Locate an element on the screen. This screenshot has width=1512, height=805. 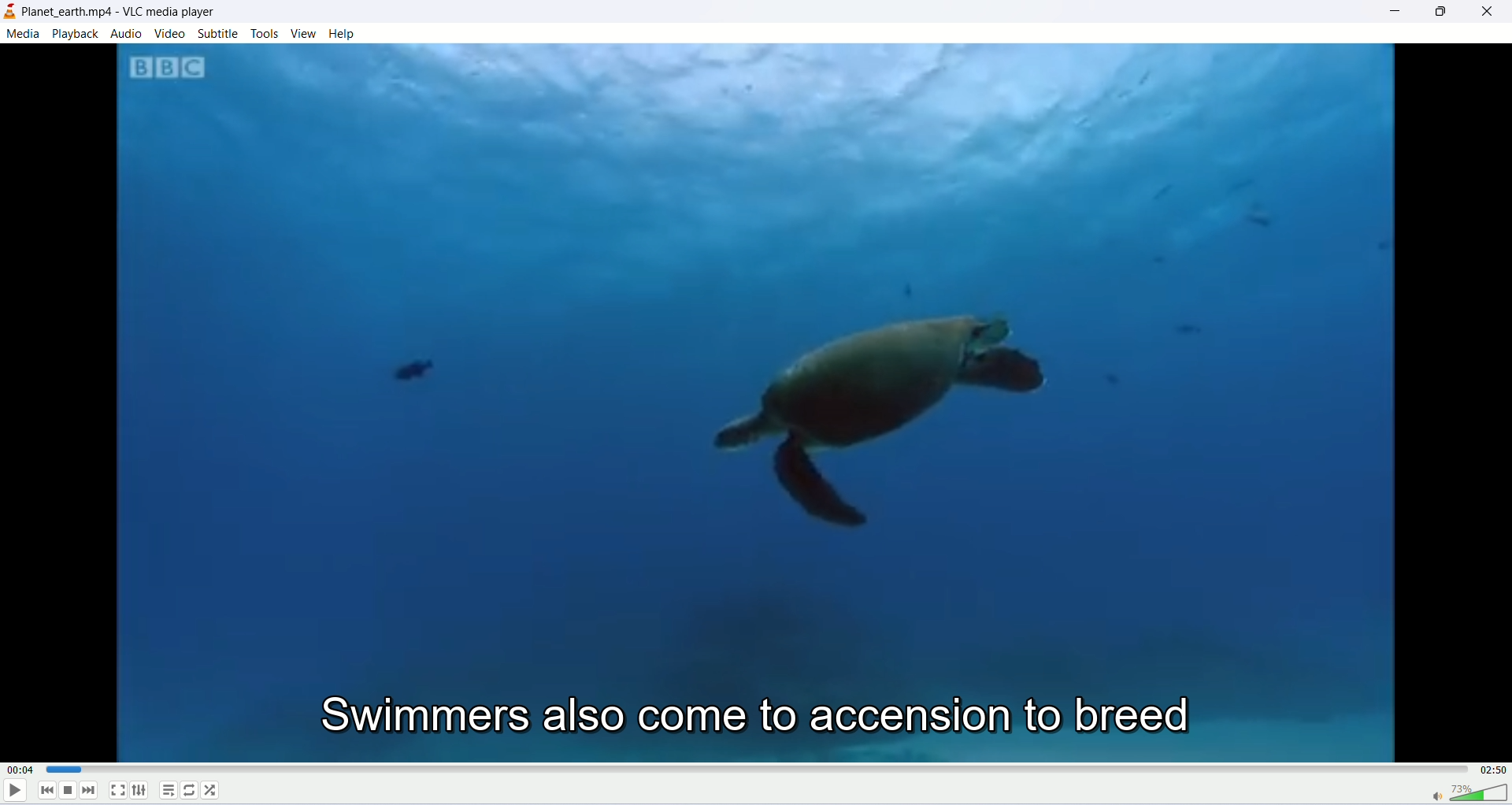
extended settings is located at coordinates (143, 791).